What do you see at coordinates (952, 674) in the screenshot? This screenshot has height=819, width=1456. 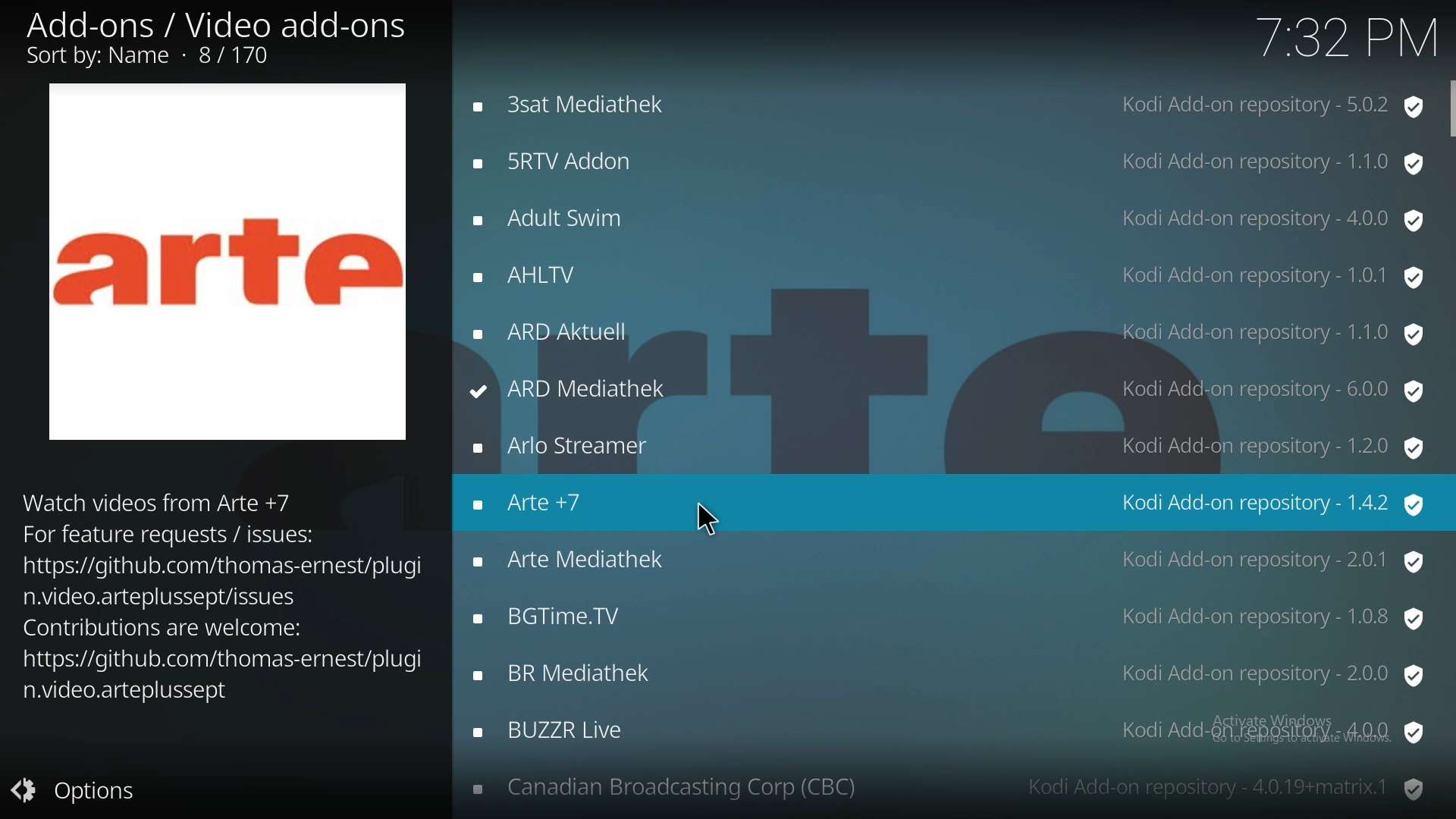 I see `add on` at bounding box center [952, 674].